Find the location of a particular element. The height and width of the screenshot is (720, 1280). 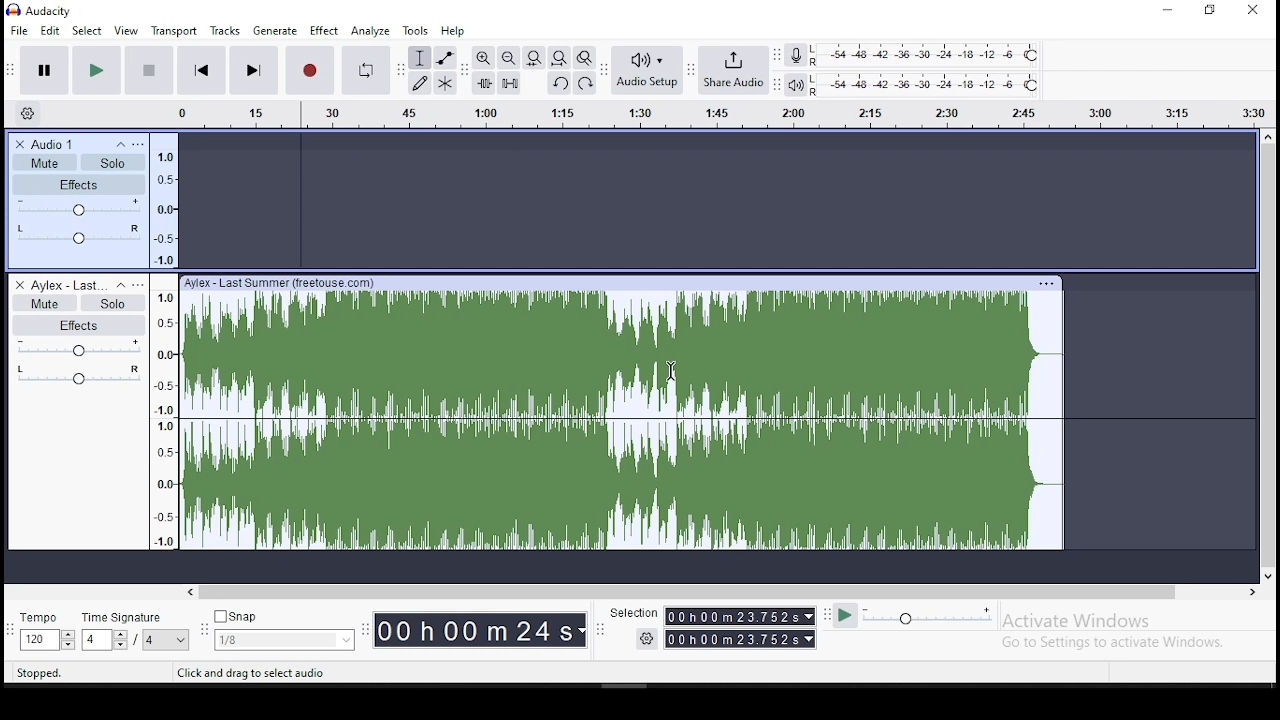

audio effect is located at coordinates (77, 242).